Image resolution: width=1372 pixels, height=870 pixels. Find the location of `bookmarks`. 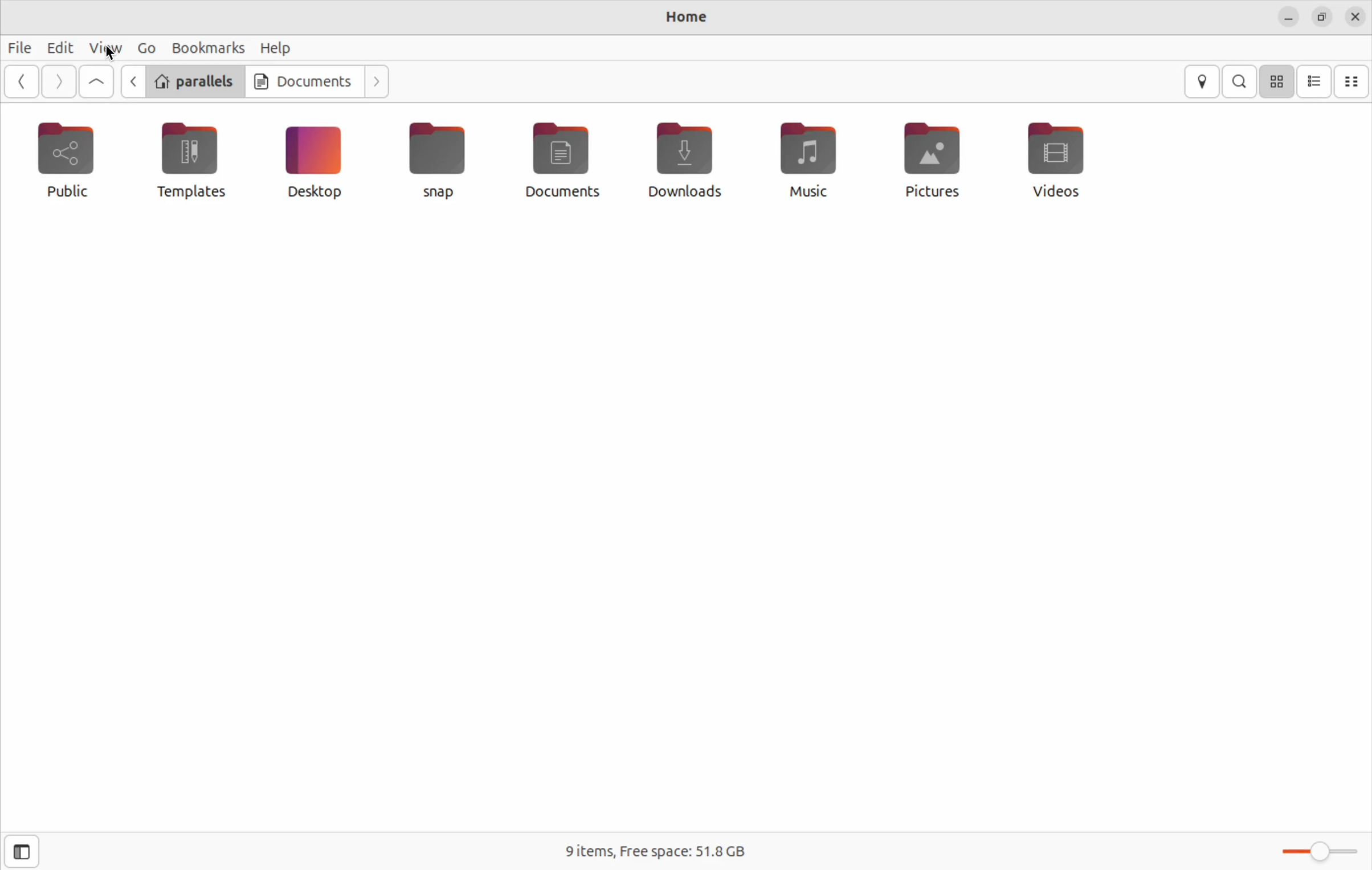

bookmarks is located at coordinates (206, 48).